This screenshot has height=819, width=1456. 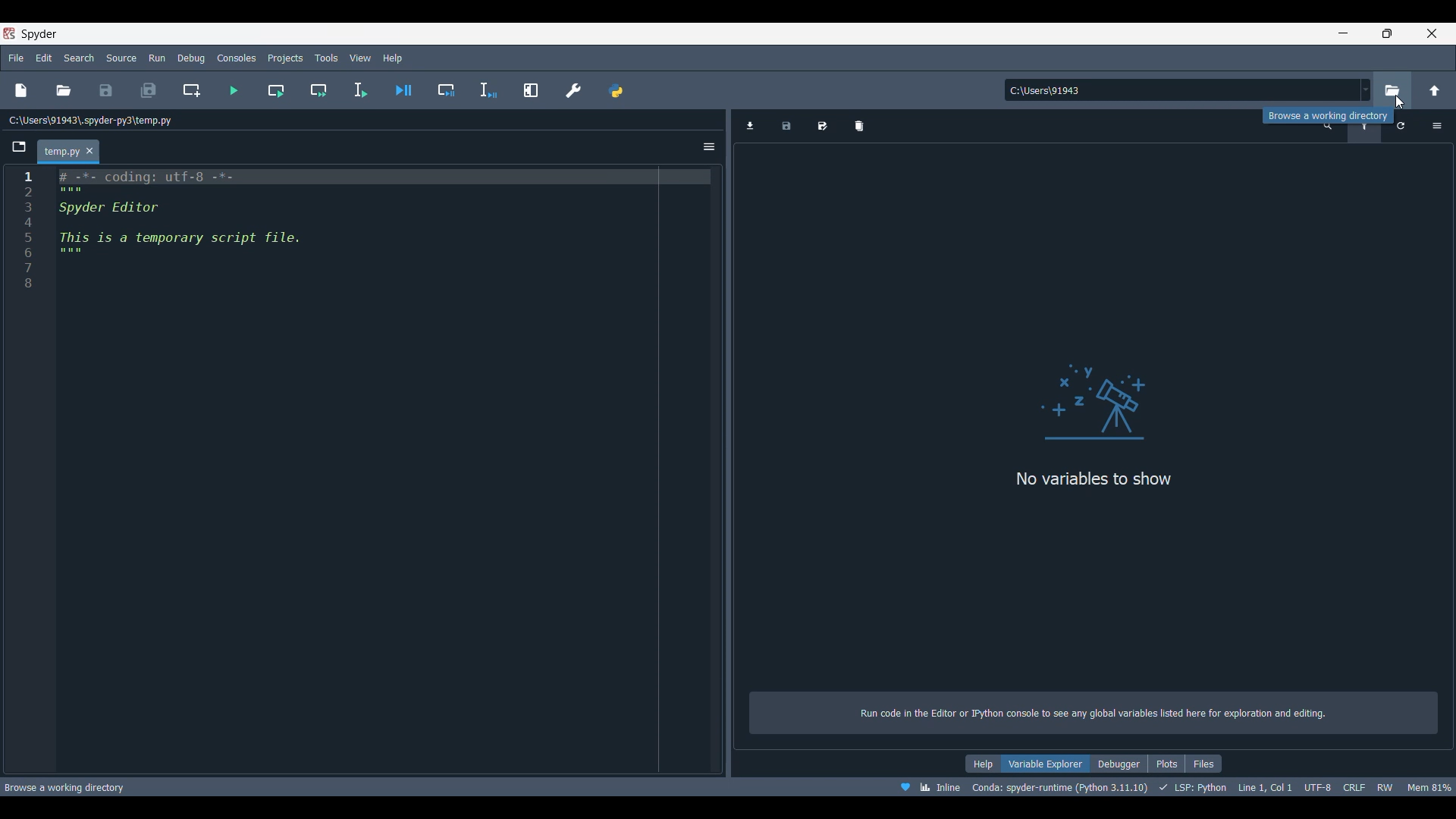 I want to click on Input location, so click(x=1181, y=90).